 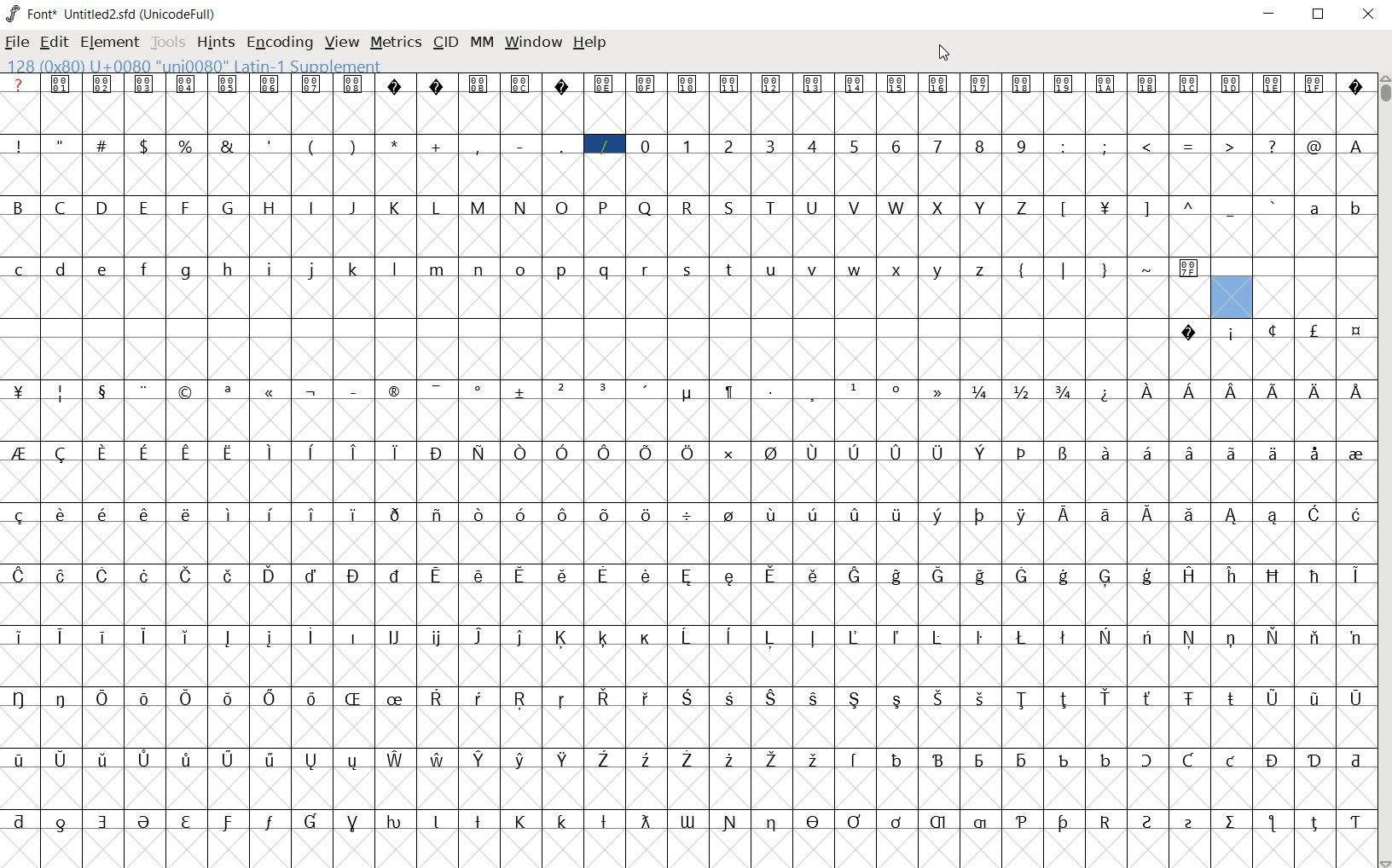 I want to click on glyph, so click(x=1273, y=576).